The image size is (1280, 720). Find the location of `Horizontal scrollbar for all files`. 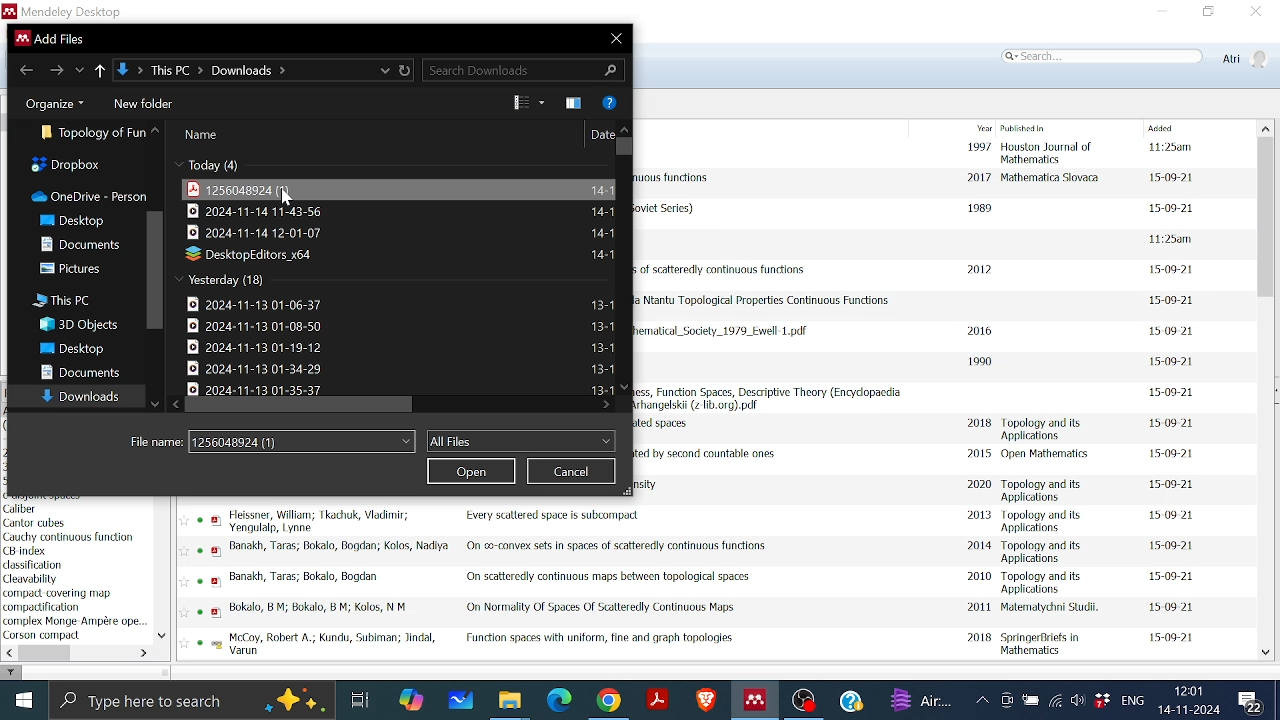

Horizontal scrollbar for all files is located at coordinates (302, 405).